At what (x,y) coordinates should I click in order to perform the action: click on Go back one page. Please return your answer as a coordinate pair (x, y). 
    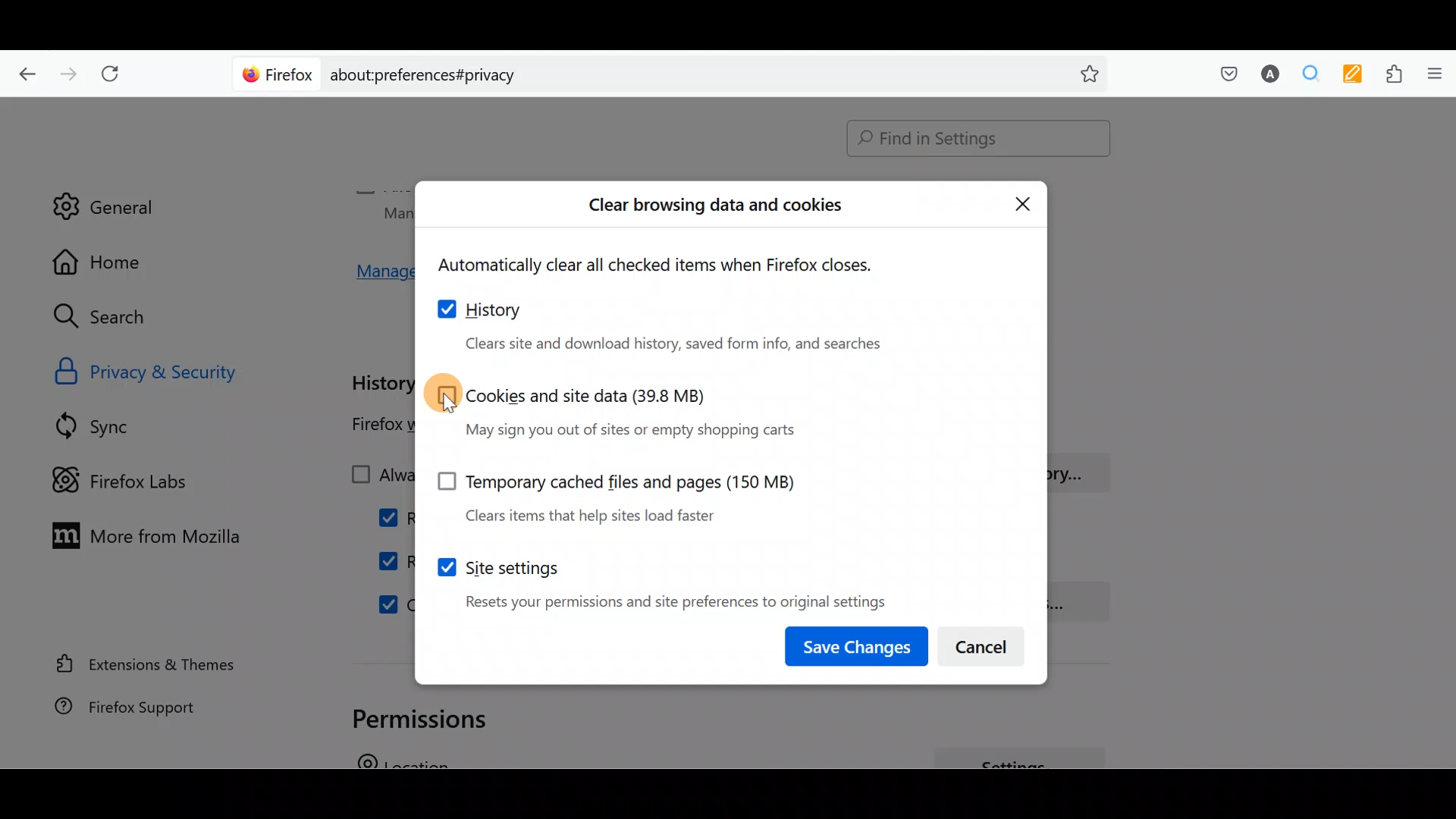
    Looking at the image, I should click on (24, 72).